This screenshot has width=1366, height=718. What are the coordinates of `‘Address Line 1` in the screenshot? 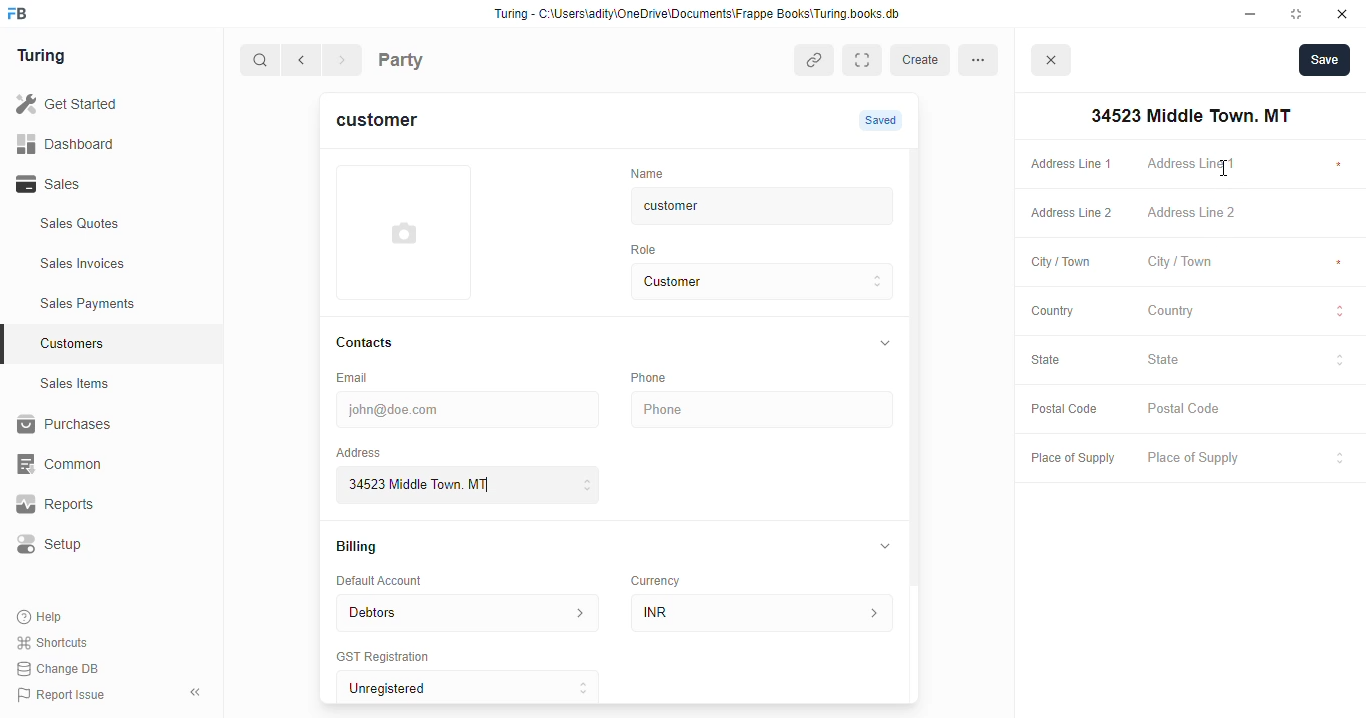 It's located at (1248, 165).